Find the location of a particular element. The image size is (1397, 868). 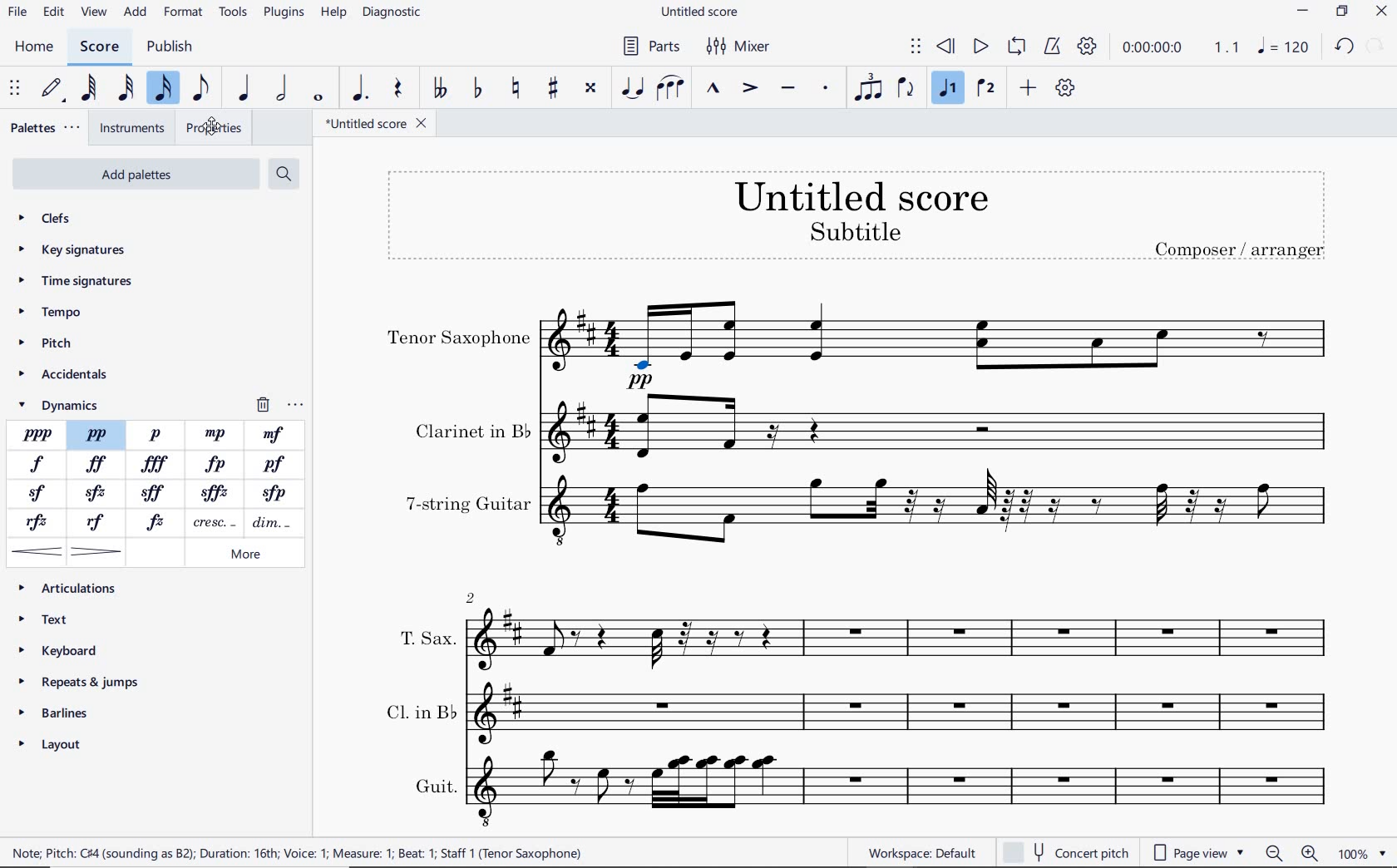

PLAY is located at coordinates (980, 47).